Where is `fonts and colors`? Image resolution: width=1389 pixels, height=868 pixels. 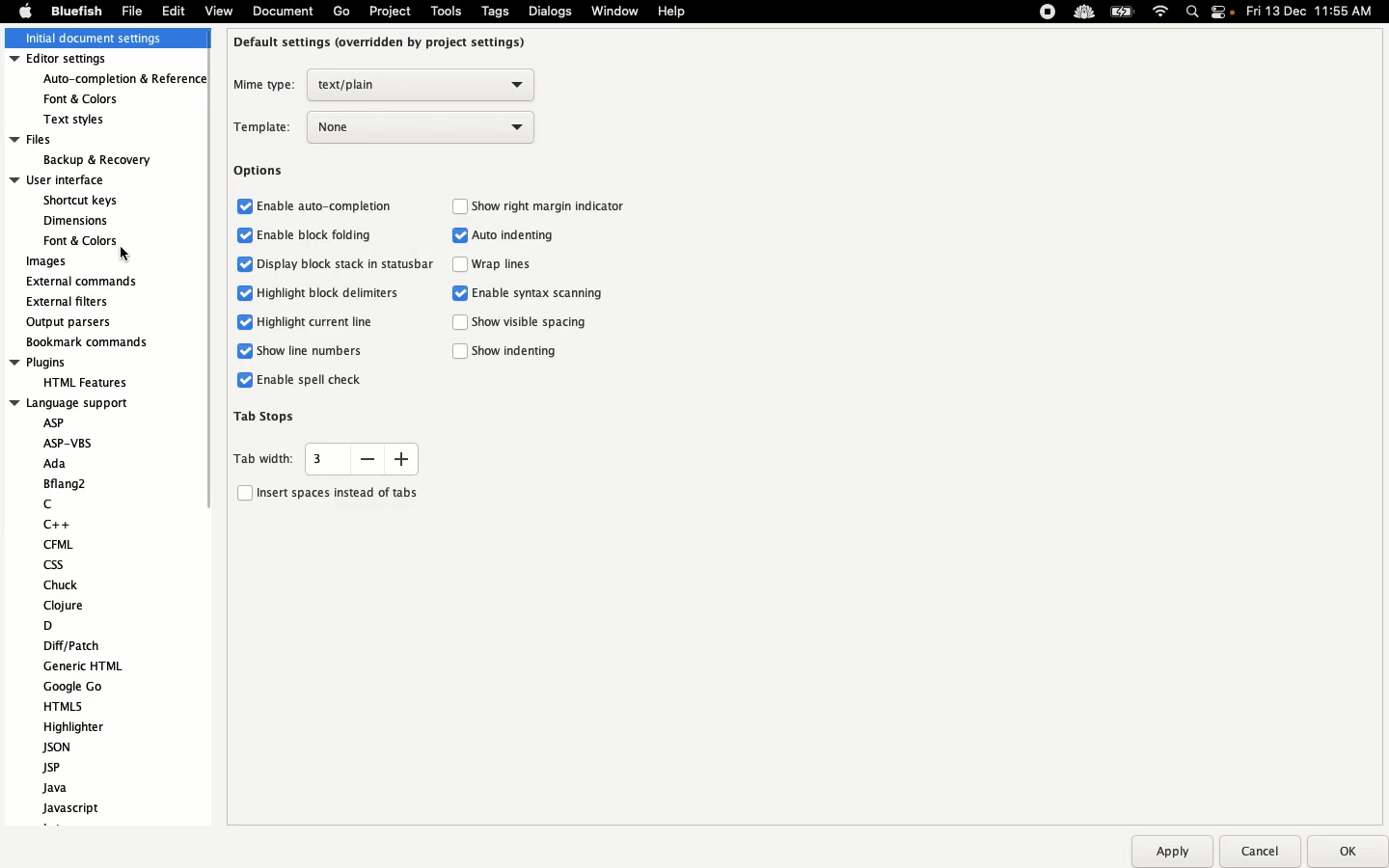
fonts and colors is located at coordinates (83, 240).